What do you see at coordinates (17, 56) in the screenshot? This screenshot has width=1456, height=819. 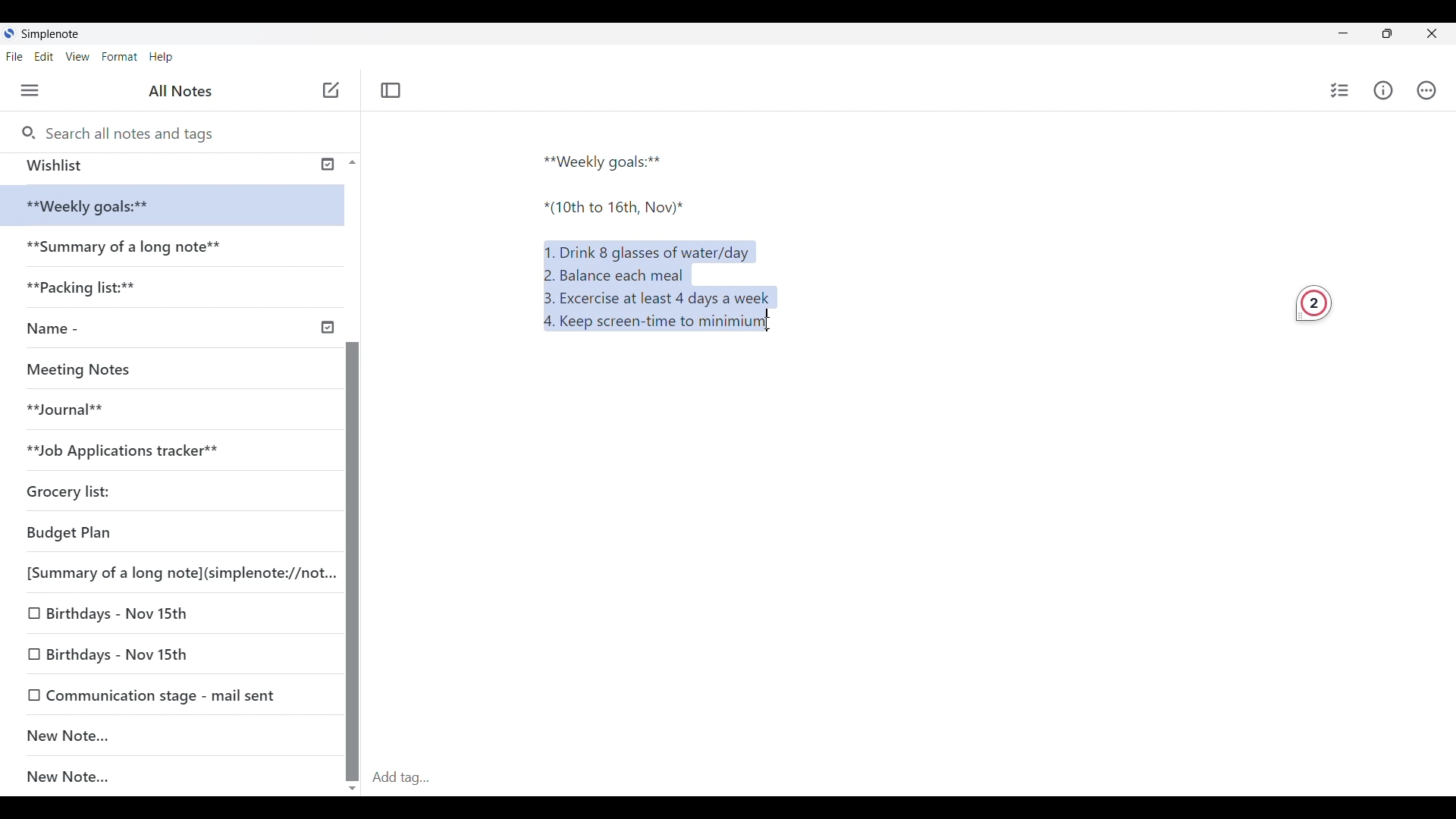 I see `File` at bounding box center [17, 56].